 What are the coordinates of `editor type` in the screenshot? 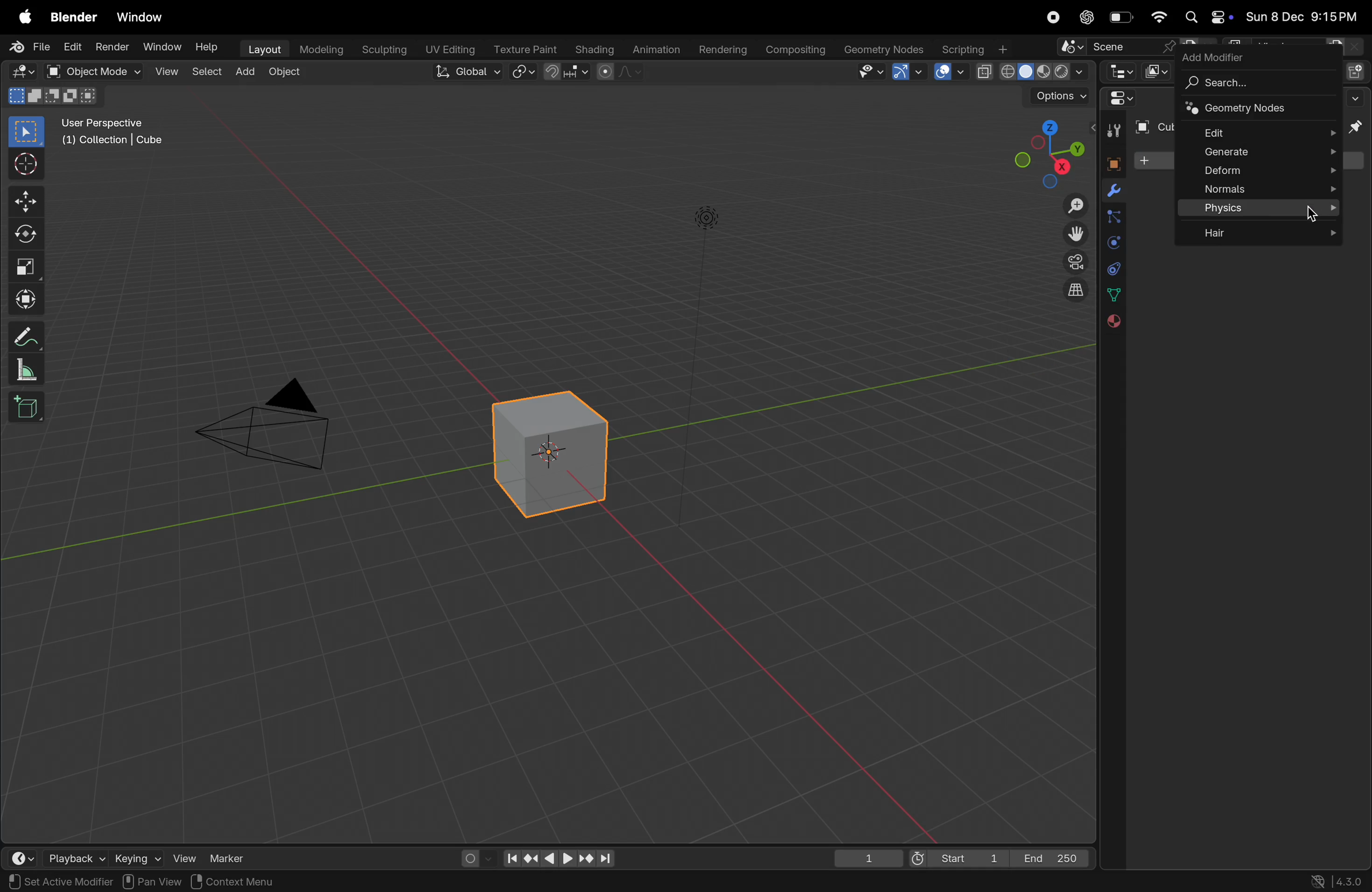 It's located at (1118, 71).